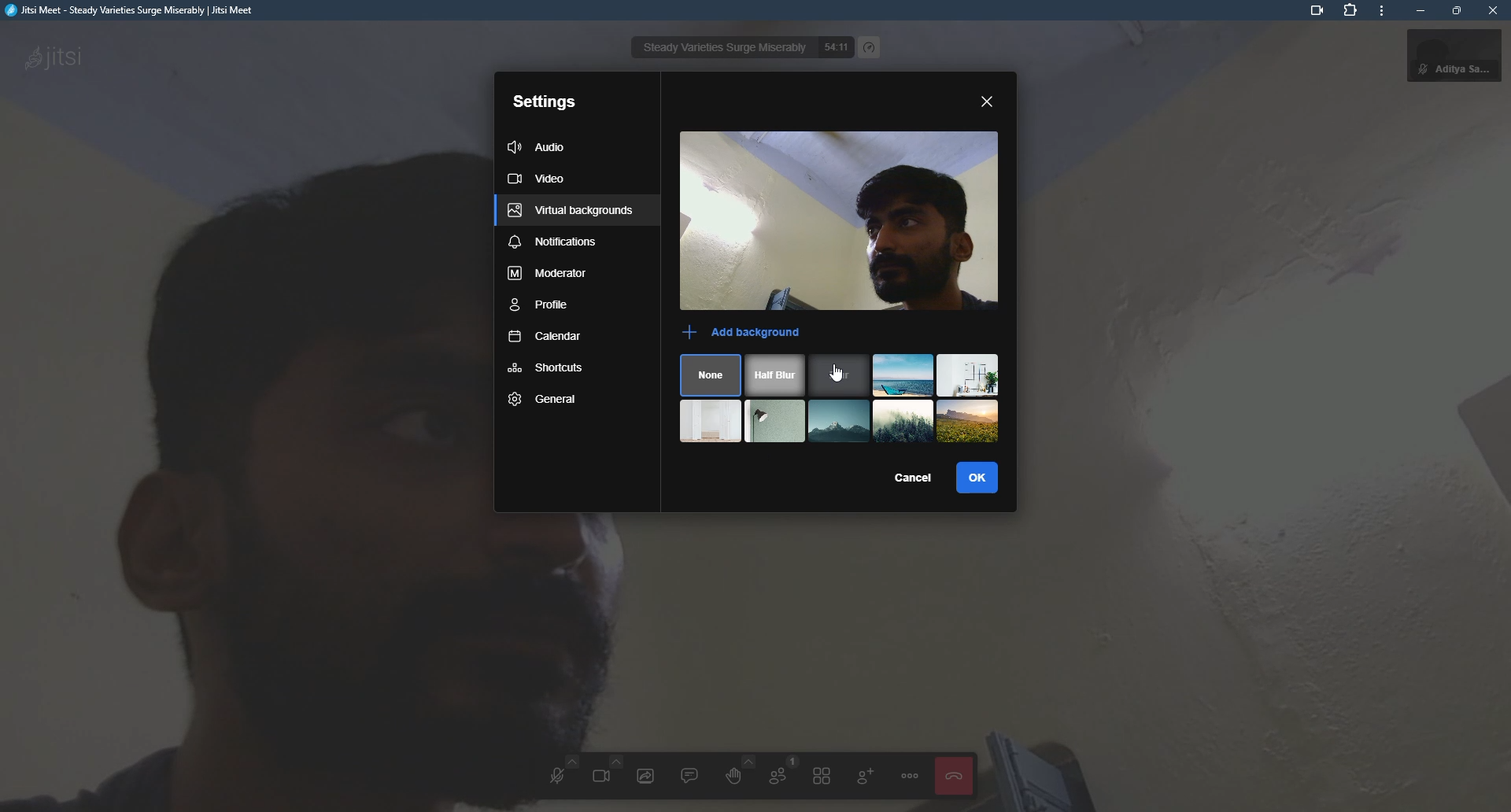 Image resolution: width=1511 pixels, height=812 pixels. Describe the element at coordinates (711, 375) in the screenshot. I see `none` at that location.